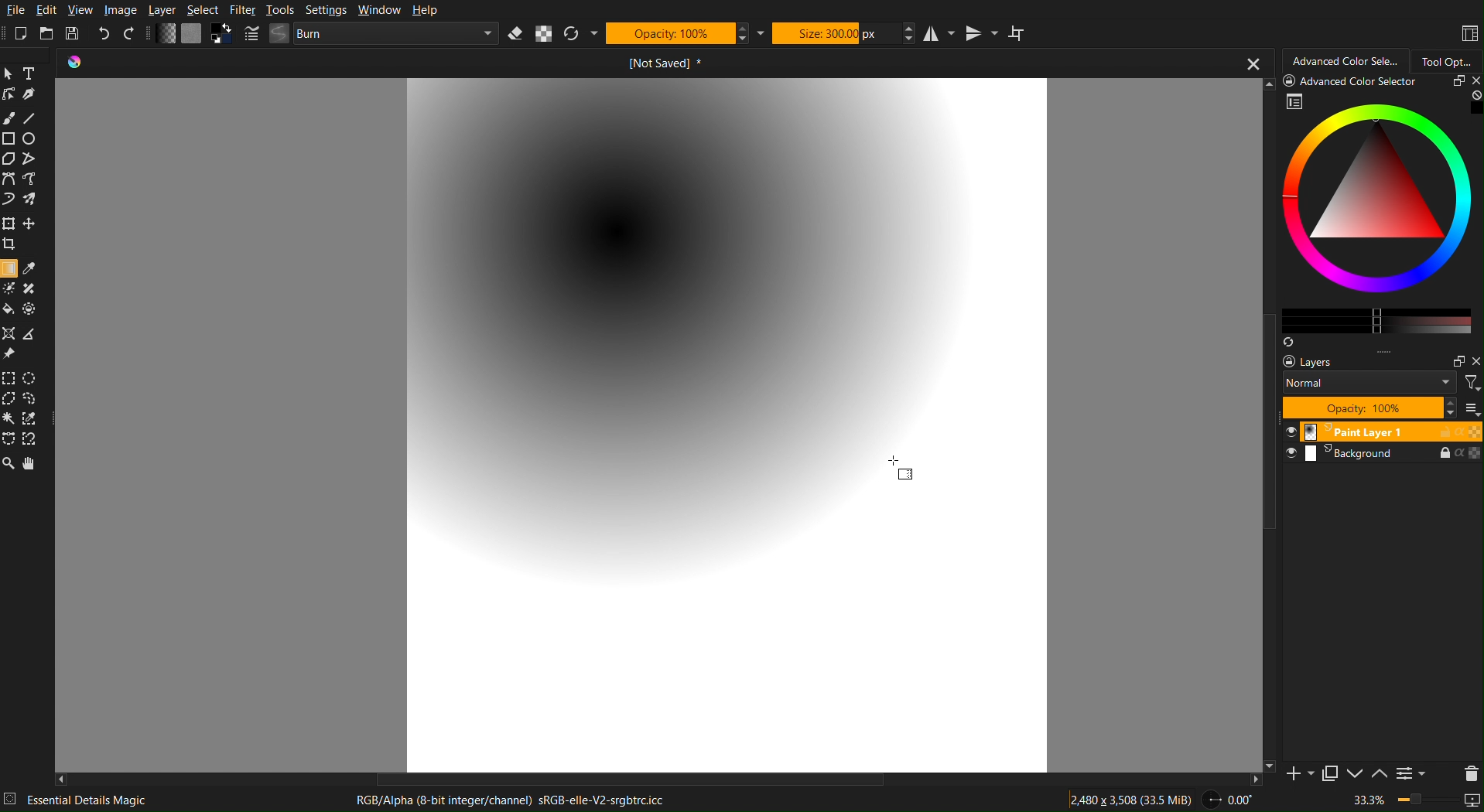 Image resolution: width=1484 pixels, height=812 pixels. I want to click on Image, so click(120, 10).